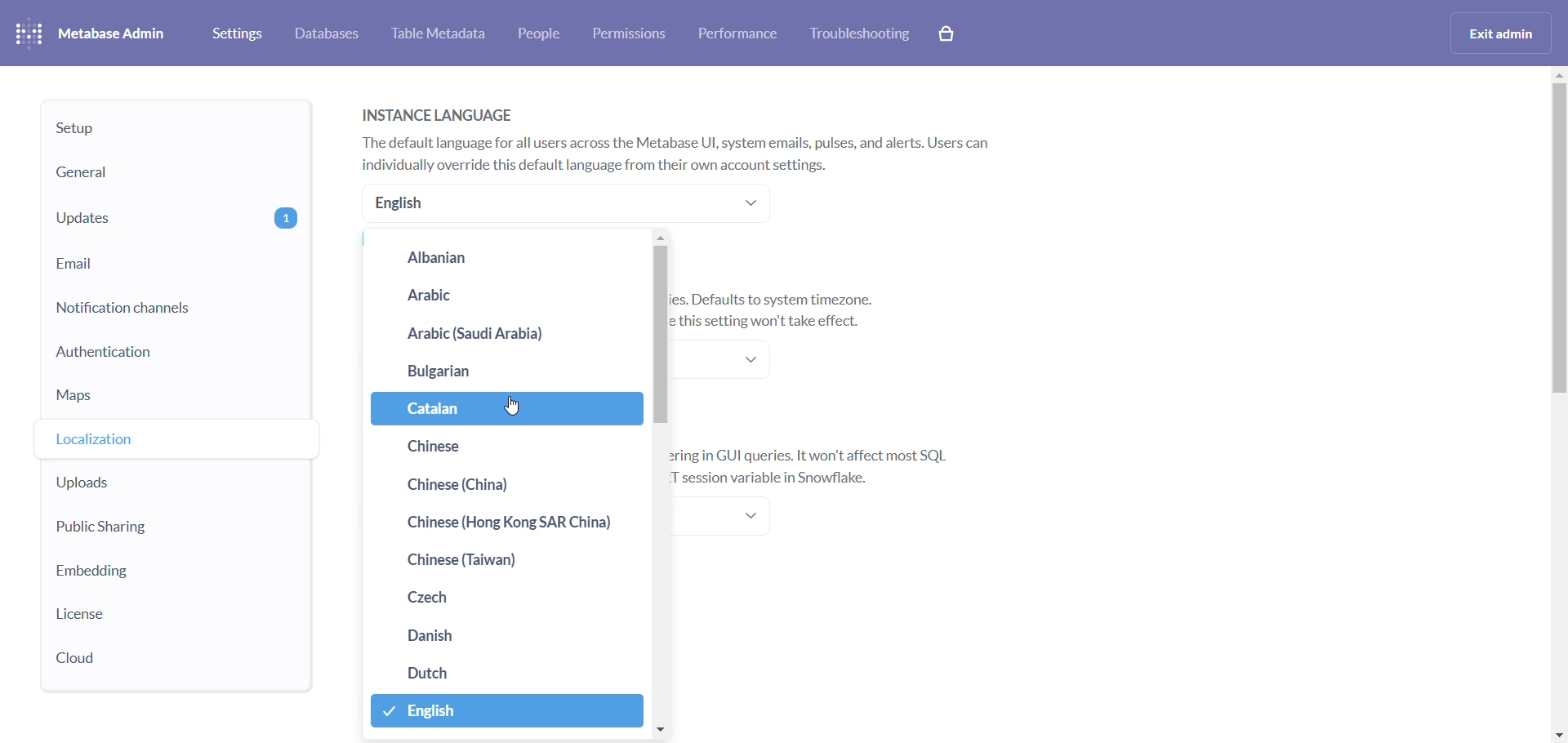 This screenshot has height=743, width=1568. What do you see at coordinates (661, 240) in the screenshot?
I see `move up` at bounding box center [661, 240].